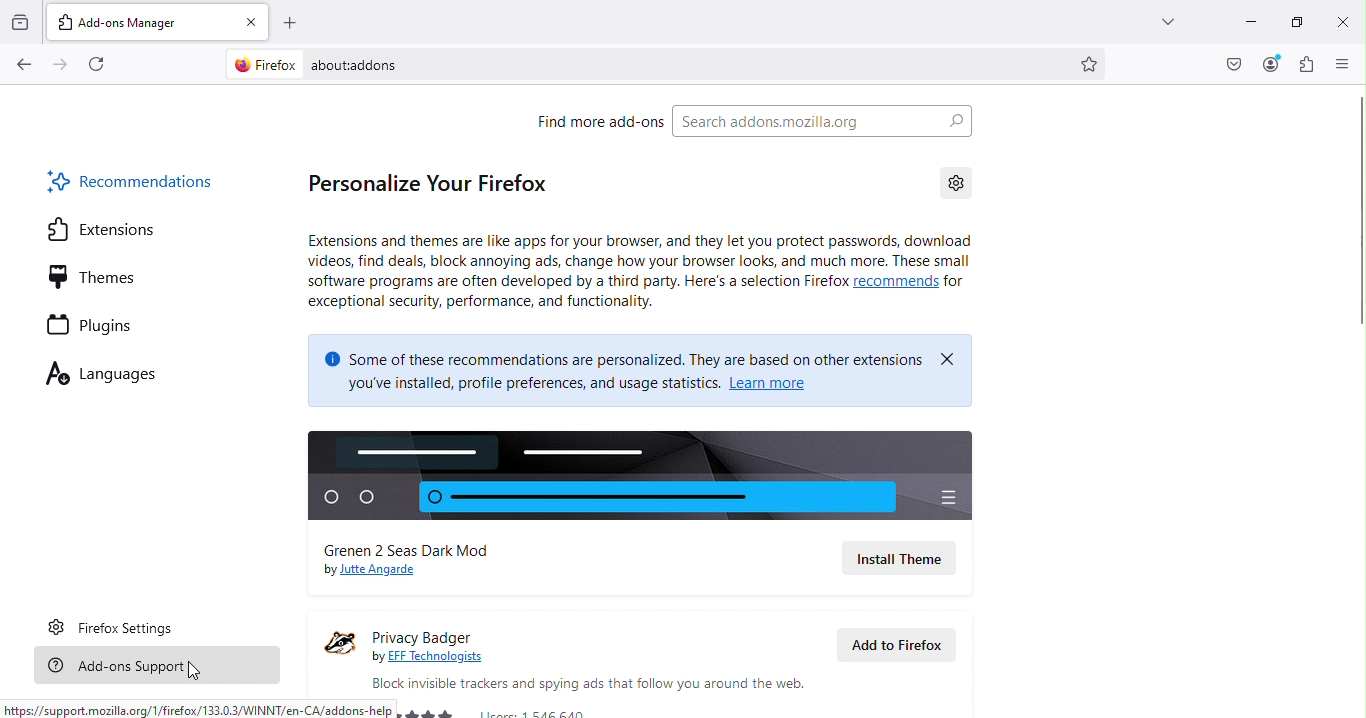  Describe the element at coordinates (585, 683) in the screenshot. I see `Block invisible trackers and spying ads that follow you around the web` at that location.